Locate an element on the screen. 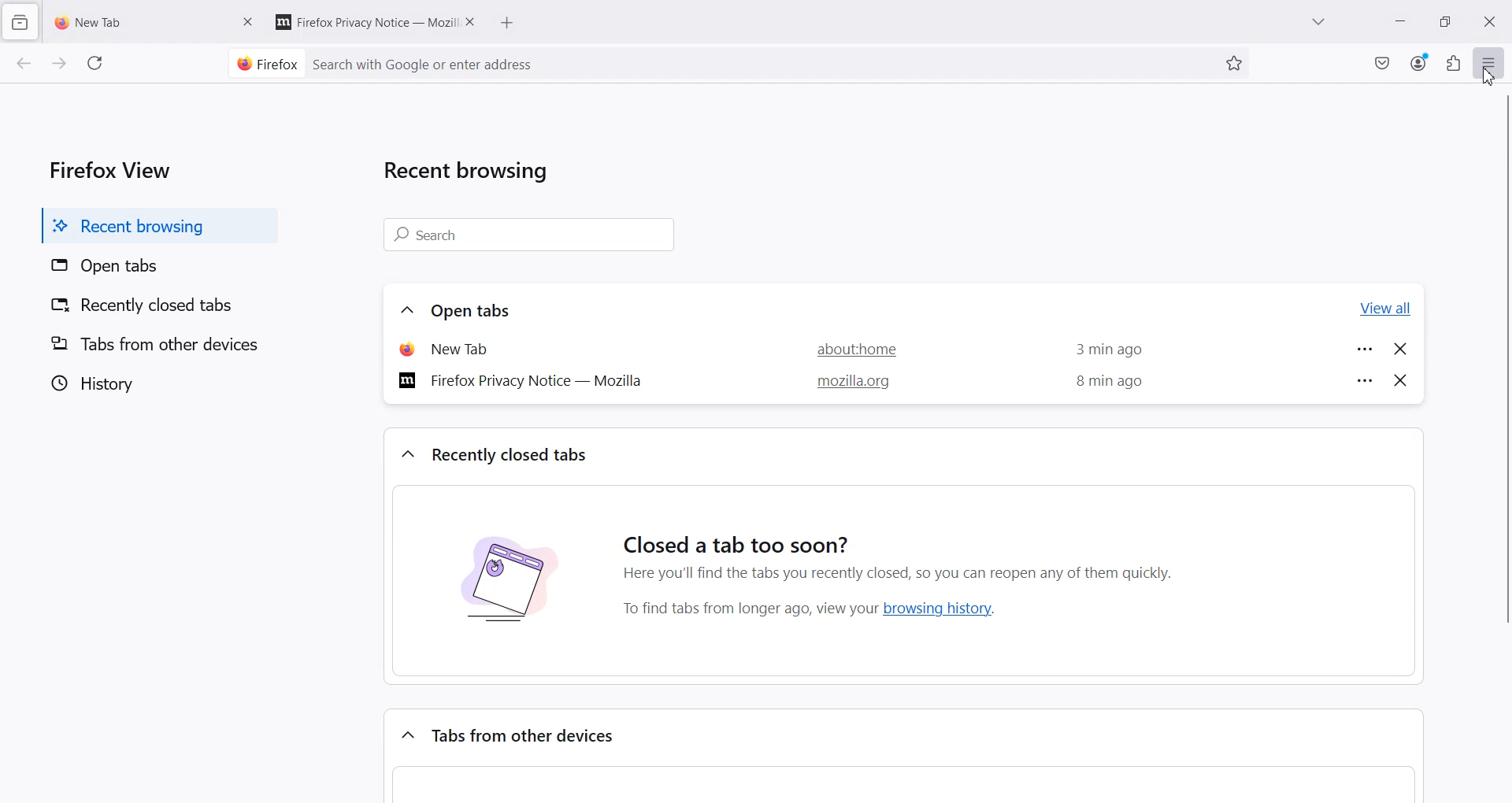 Image resolution: width=1512 pixels, height=803 pixels. Save to Pocket is located at coordinates (1382, 63).